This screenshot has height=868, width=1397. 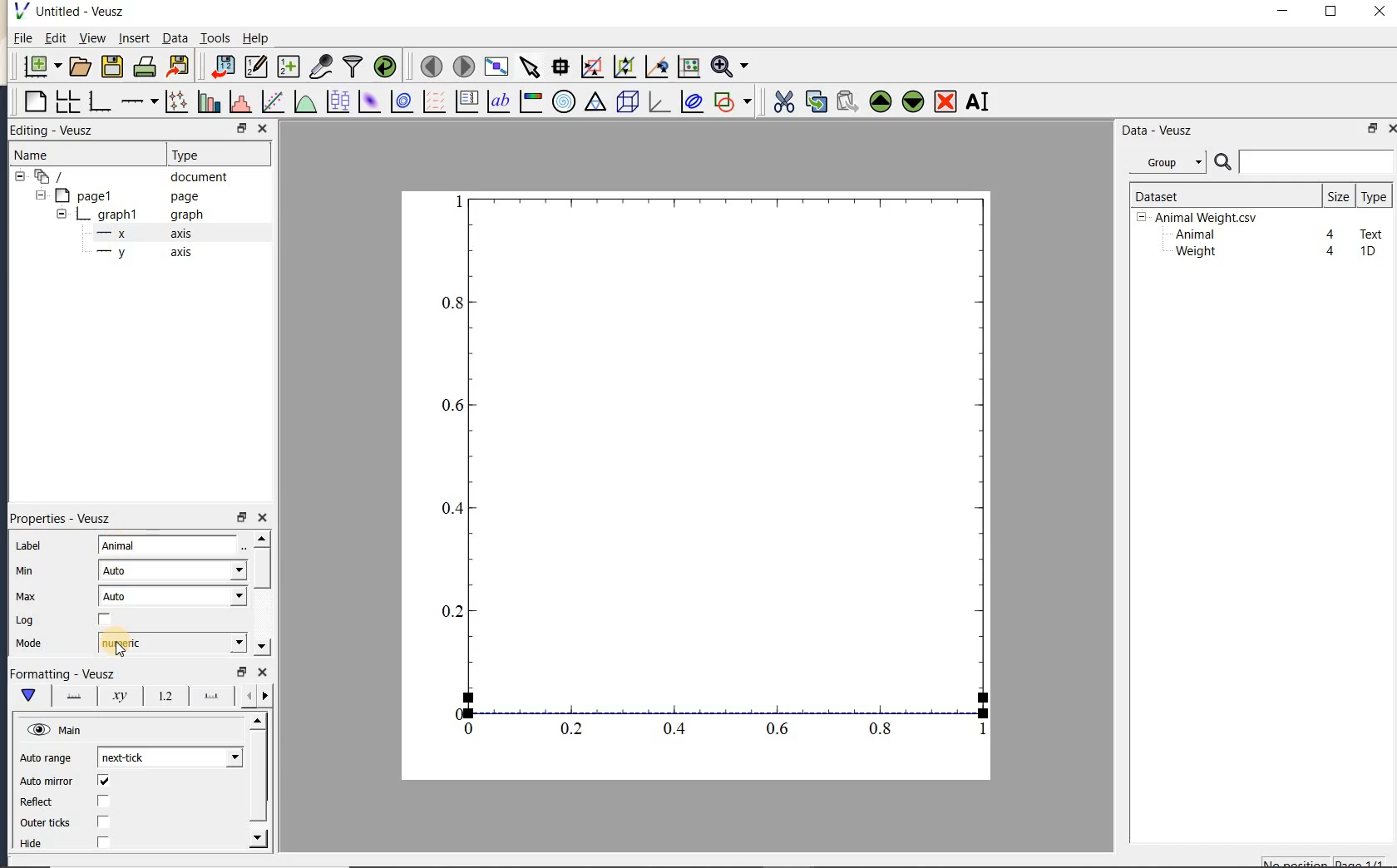 I want to click on read data points on the graph, so click(x=560, y=67).